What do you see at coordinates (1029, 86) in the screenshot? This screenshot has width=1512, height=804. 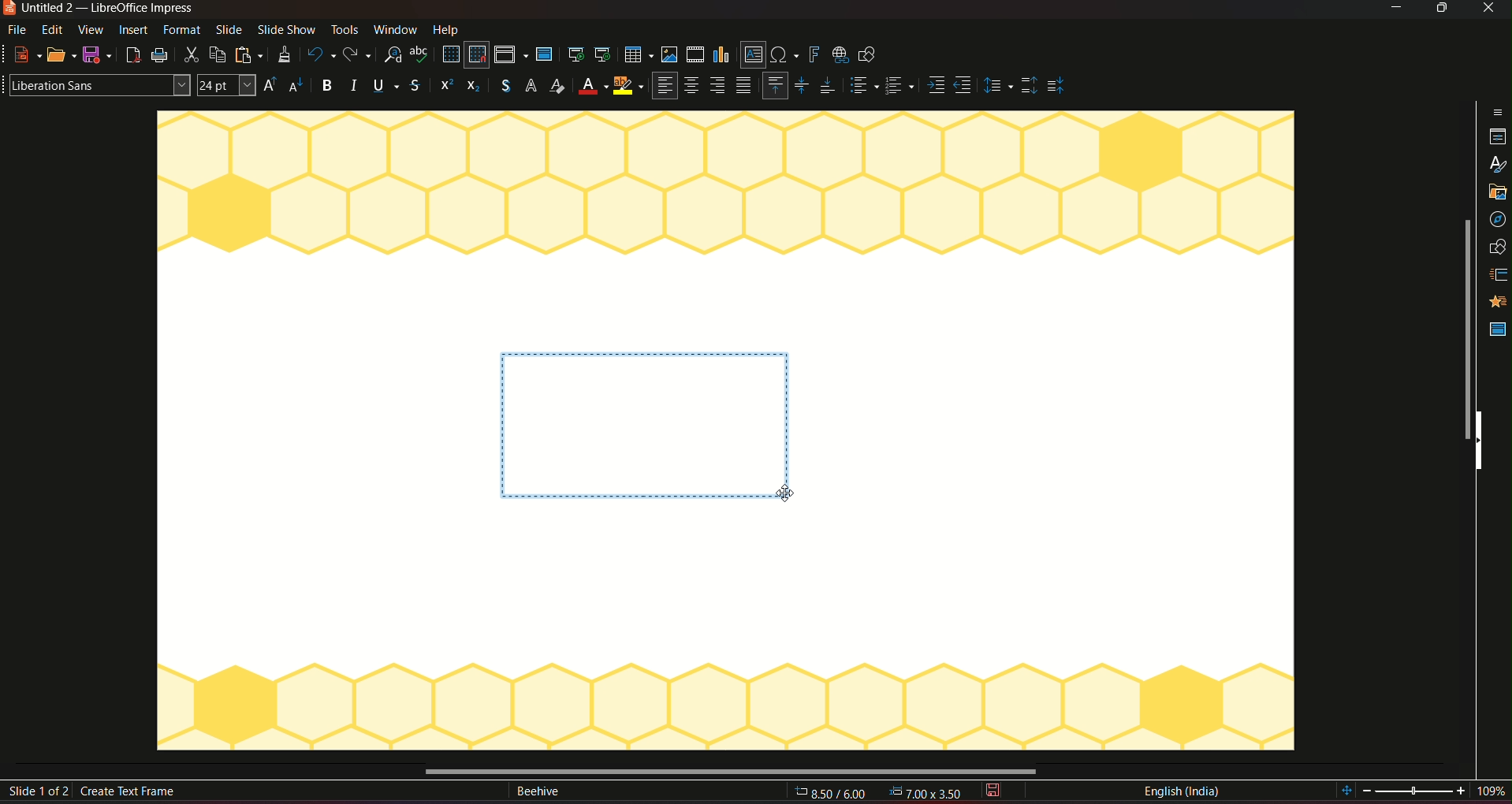 I see `Top spacing` at bounding box center [1029, 86].